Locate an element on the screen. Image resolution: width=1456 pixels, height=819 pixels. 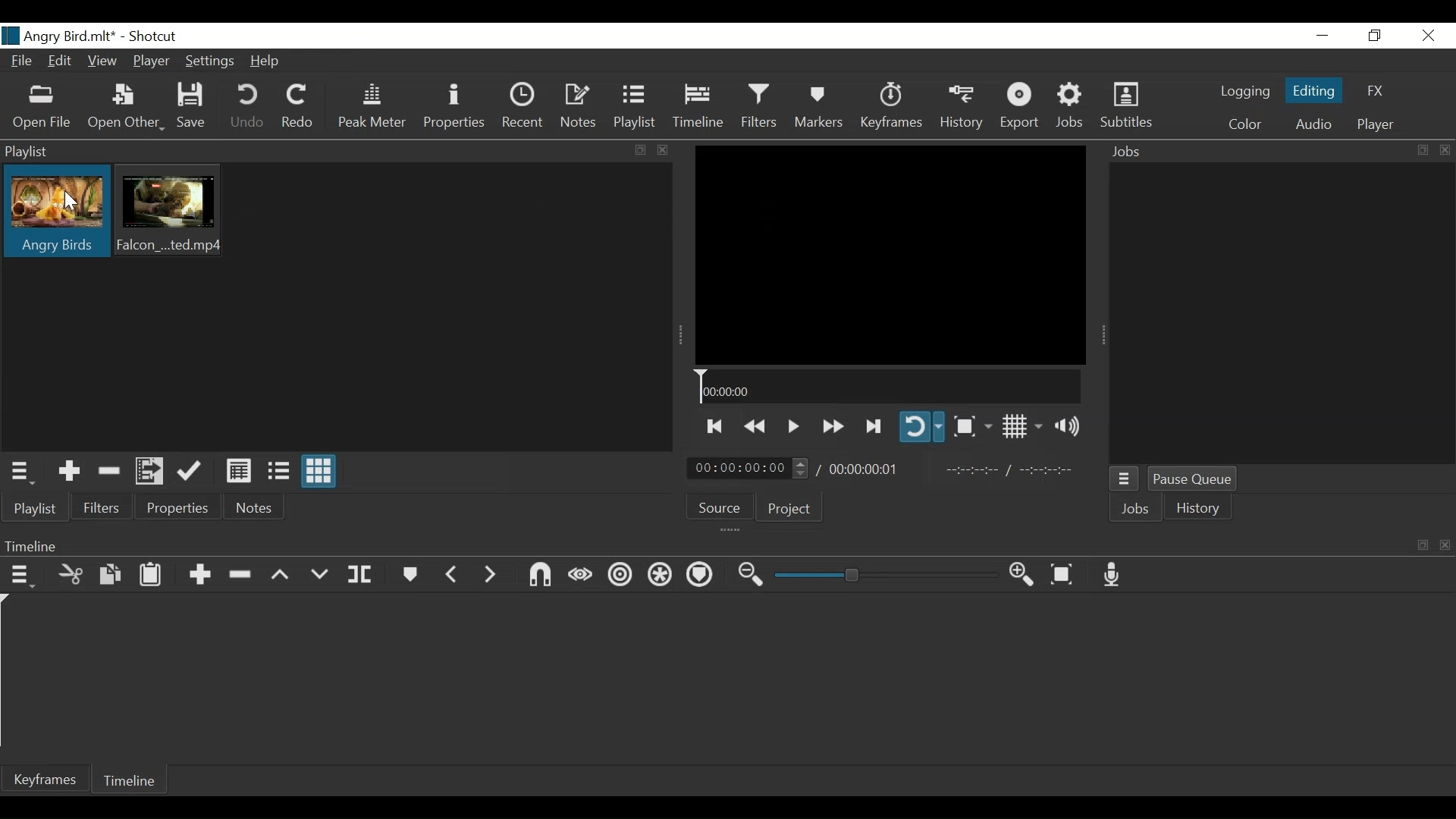
Jobs menu is located at coordinates (1126, 478).